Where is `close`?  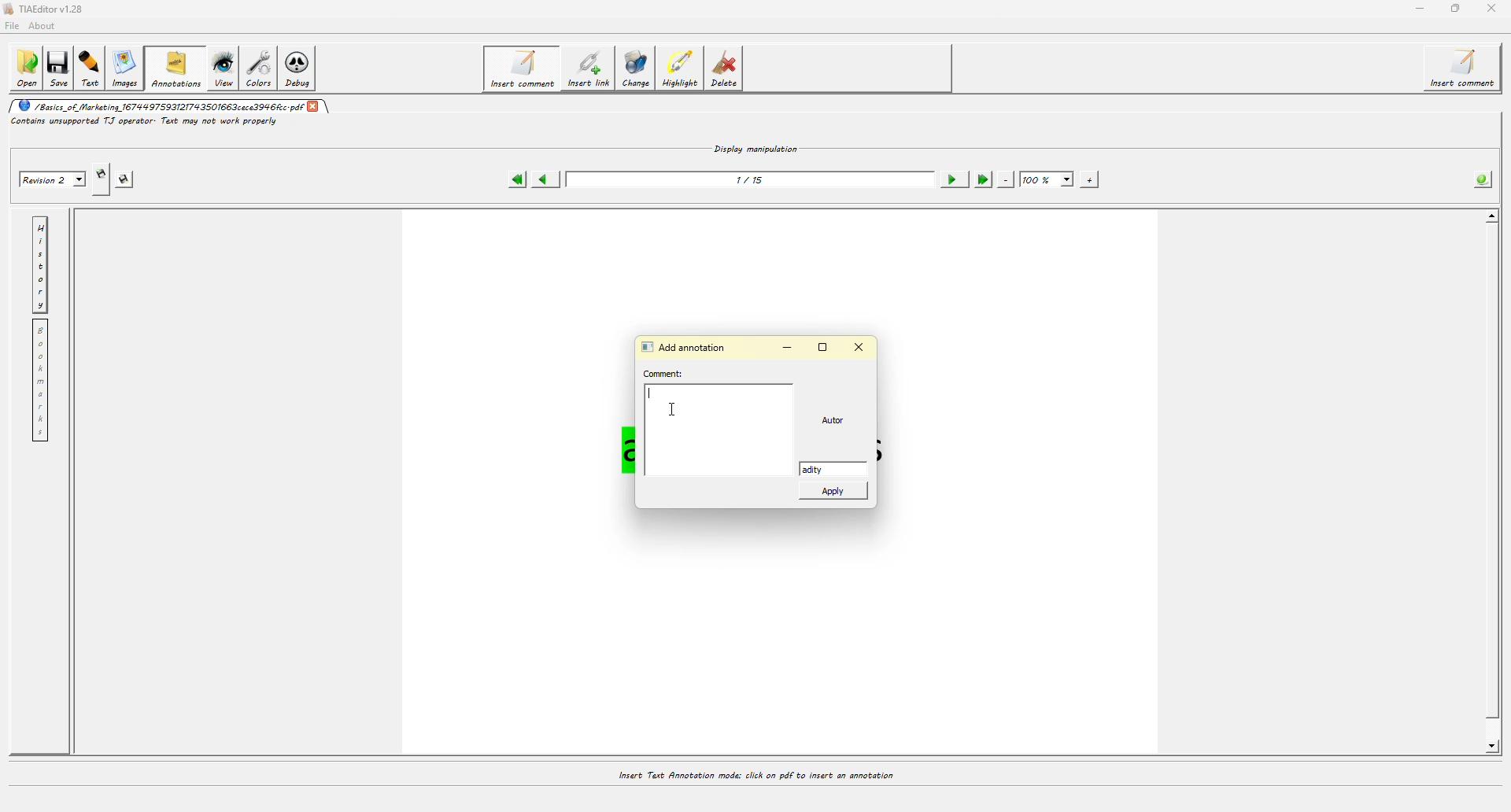
close is located at coordinates (1490, 9).